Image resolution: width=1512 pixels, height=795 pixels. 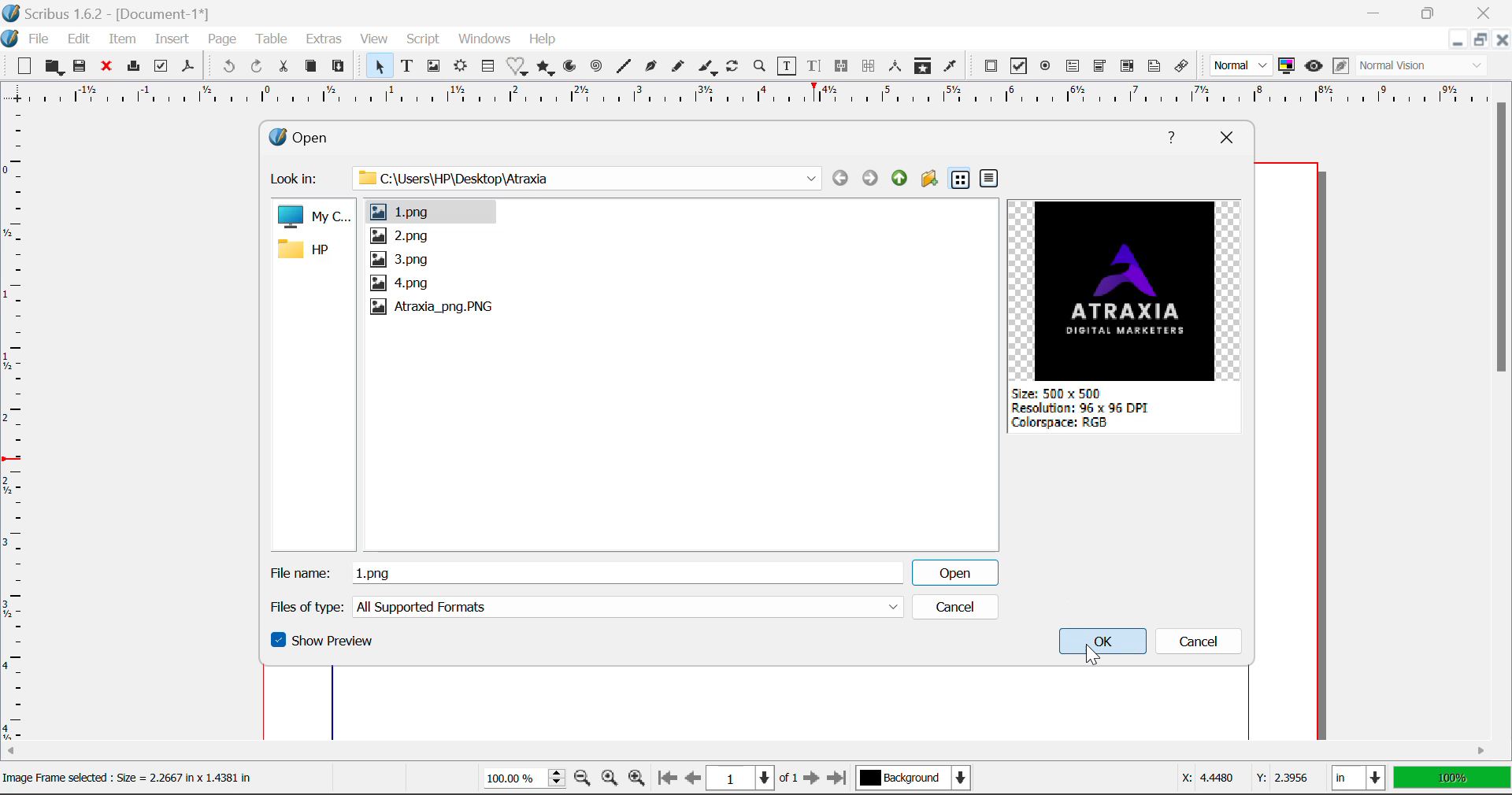 What do you see at coordinates (1182, 67) in the screenshot?
I see `Link Annotation` at bounding box center [1182, 67].